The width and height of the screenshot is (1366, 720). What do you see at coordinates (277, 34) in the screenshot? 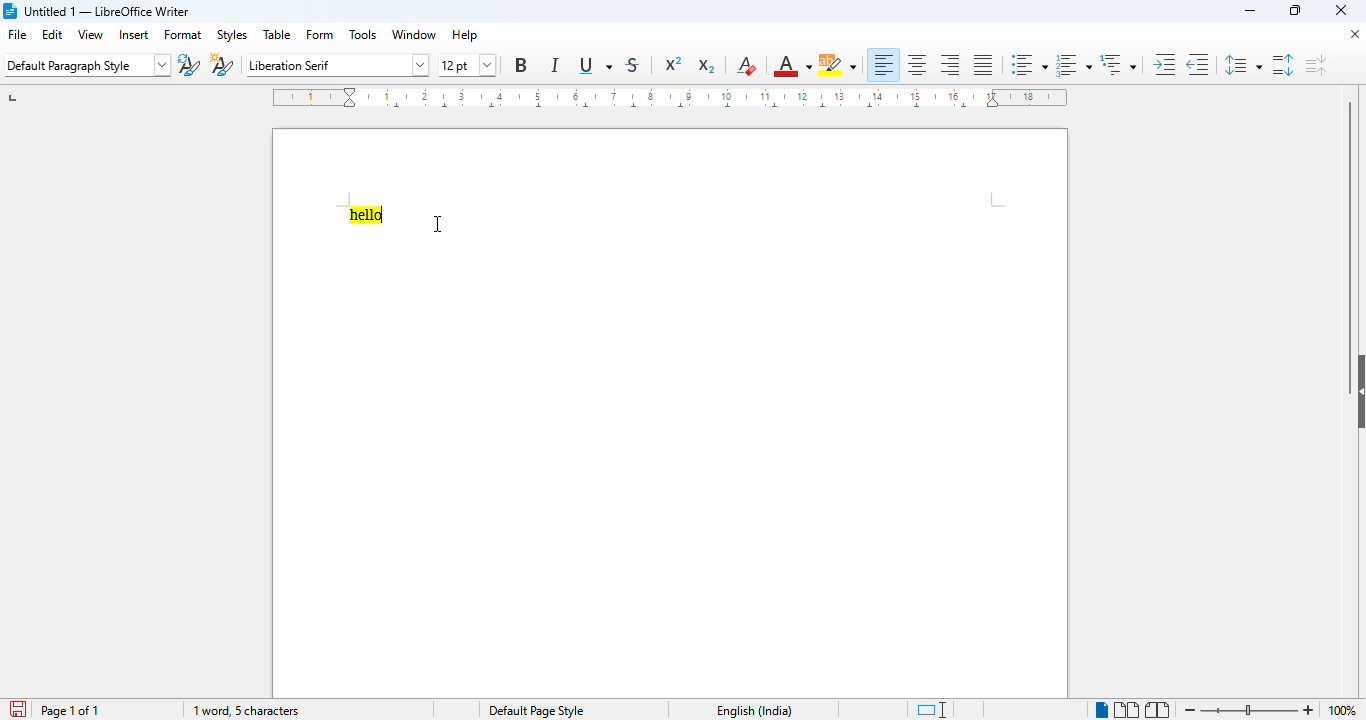
I see `table` at bounding box center [277, 34].